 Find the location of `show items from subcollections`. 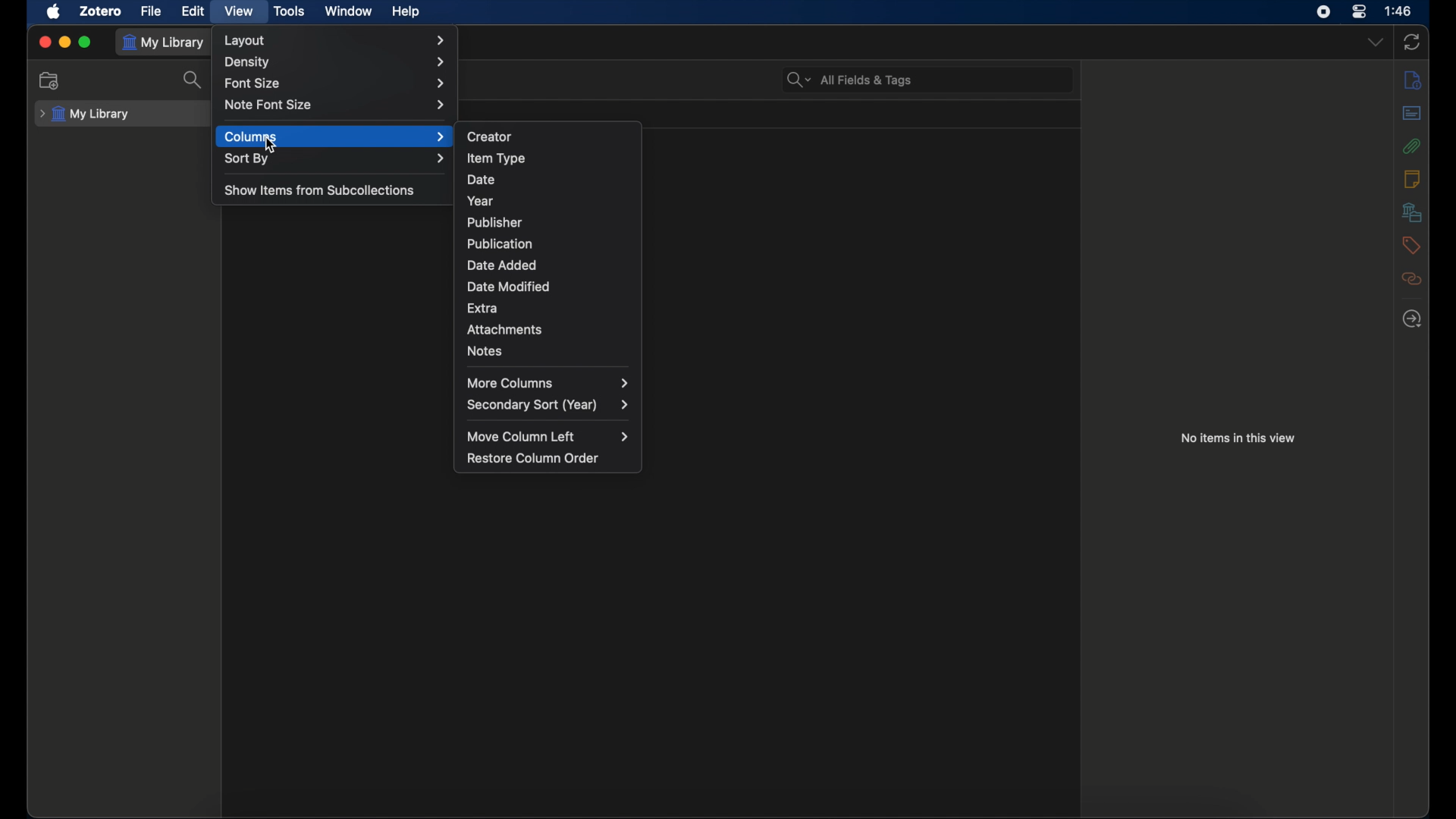

show items from subcollections is located at coordinates (320, 190).